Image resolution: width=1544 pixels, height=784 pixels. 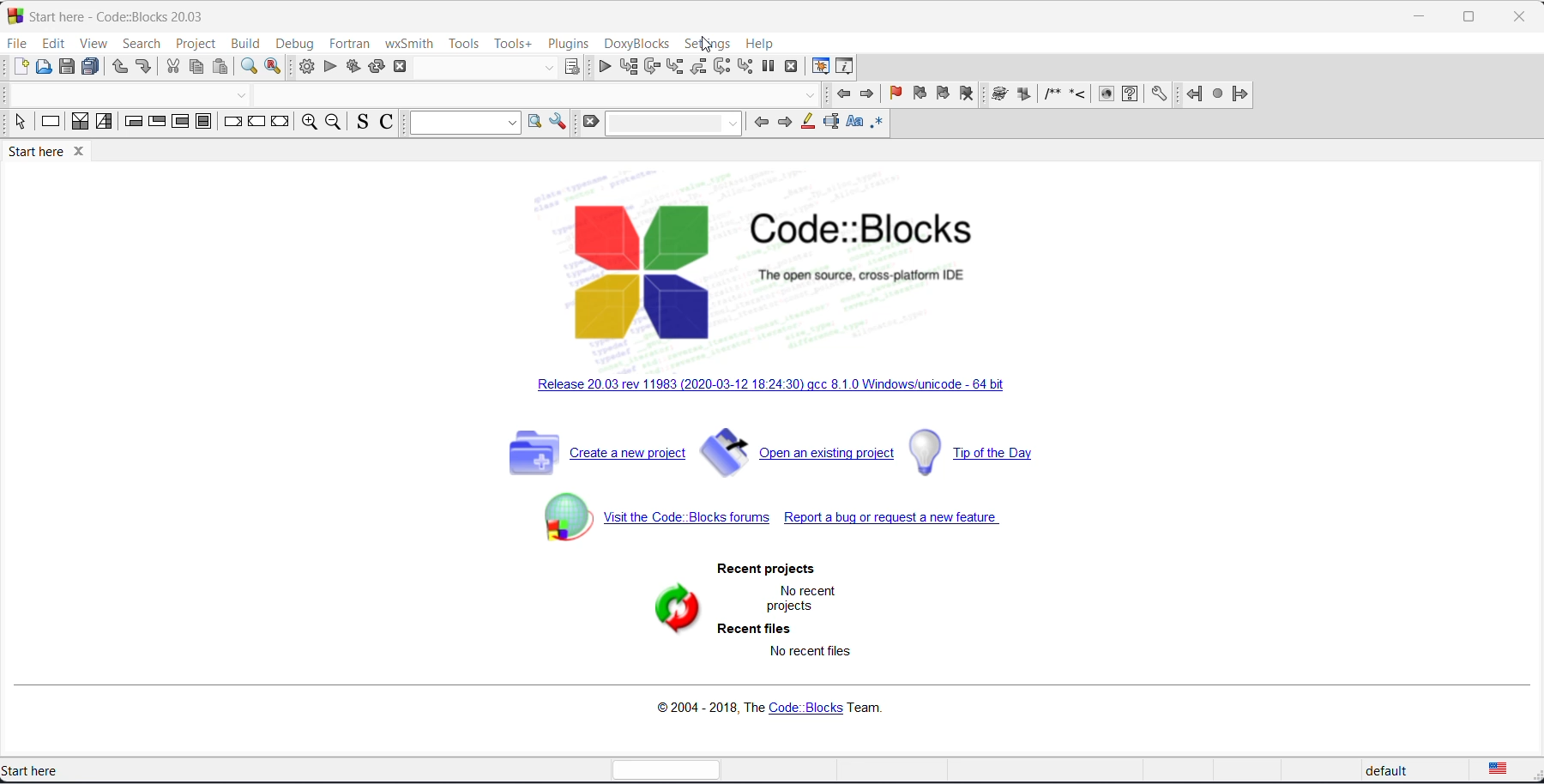 What do you see at coordinates (250, 67) in the screenshot?
I see `find` at bounding box center [250, 67].